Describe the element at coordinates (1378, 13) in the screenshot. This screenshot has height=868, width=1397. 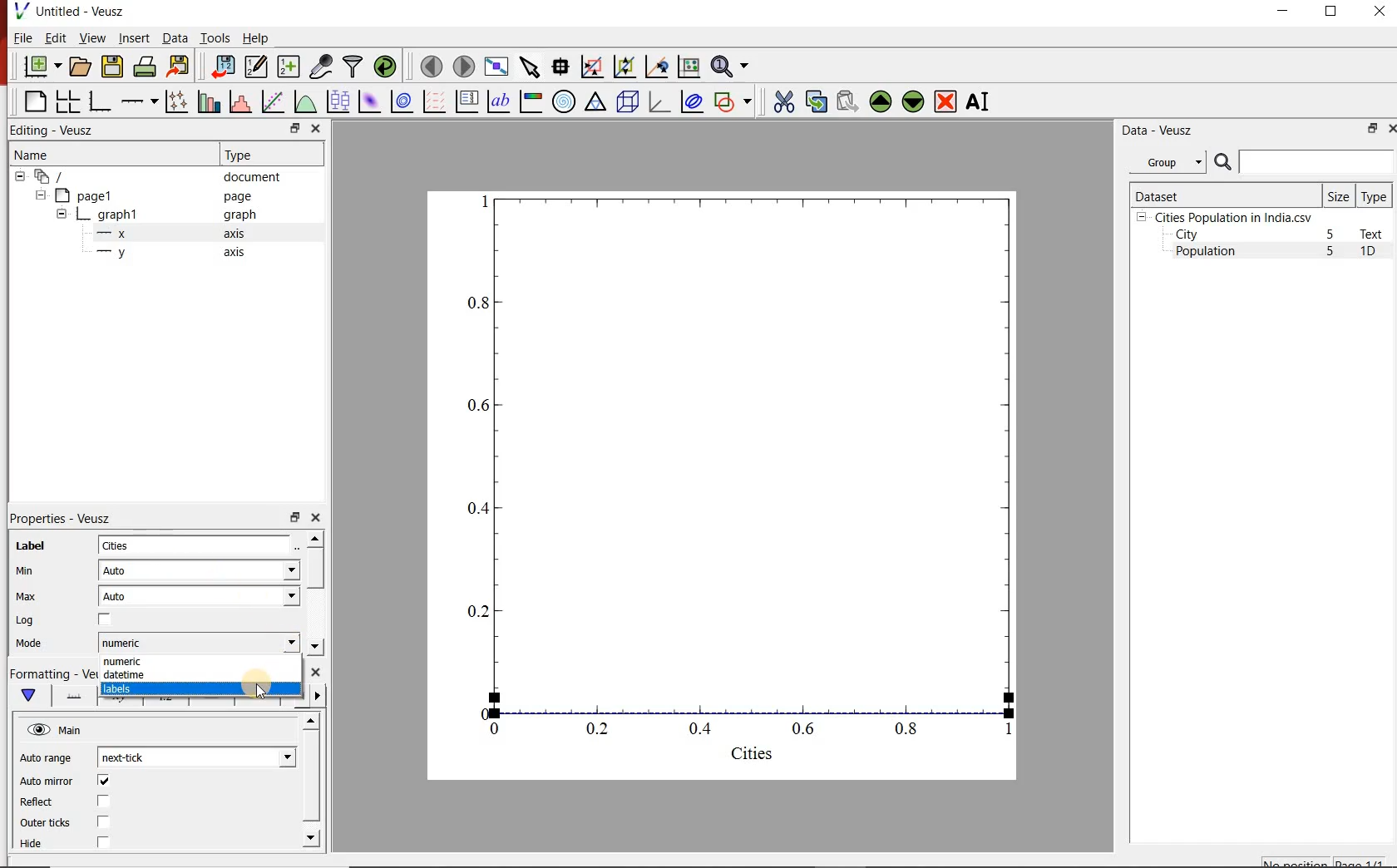
I see `CLOSE` at that location.